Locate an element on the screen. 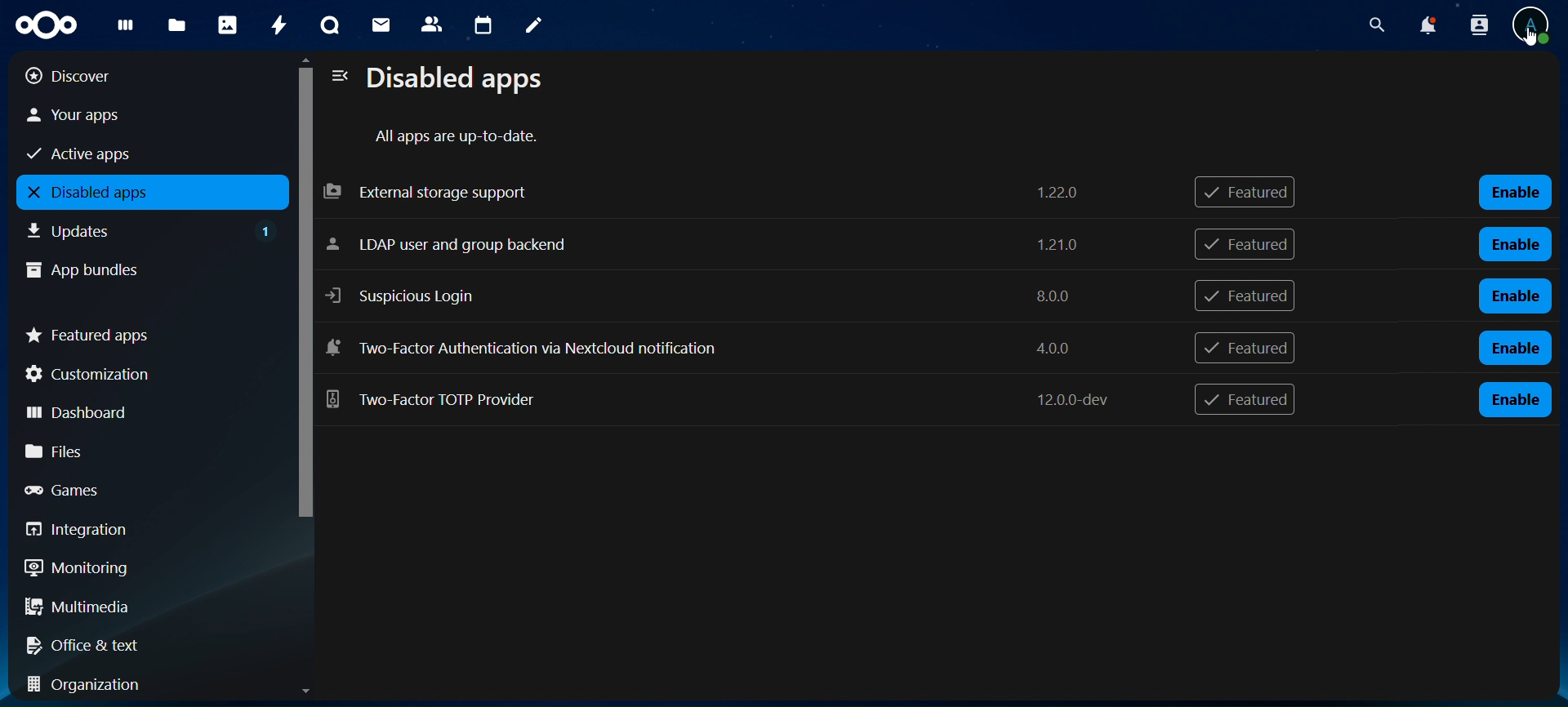 This screenshot has height=707, width=1568. external storage support is located at coordinates (706, 191).